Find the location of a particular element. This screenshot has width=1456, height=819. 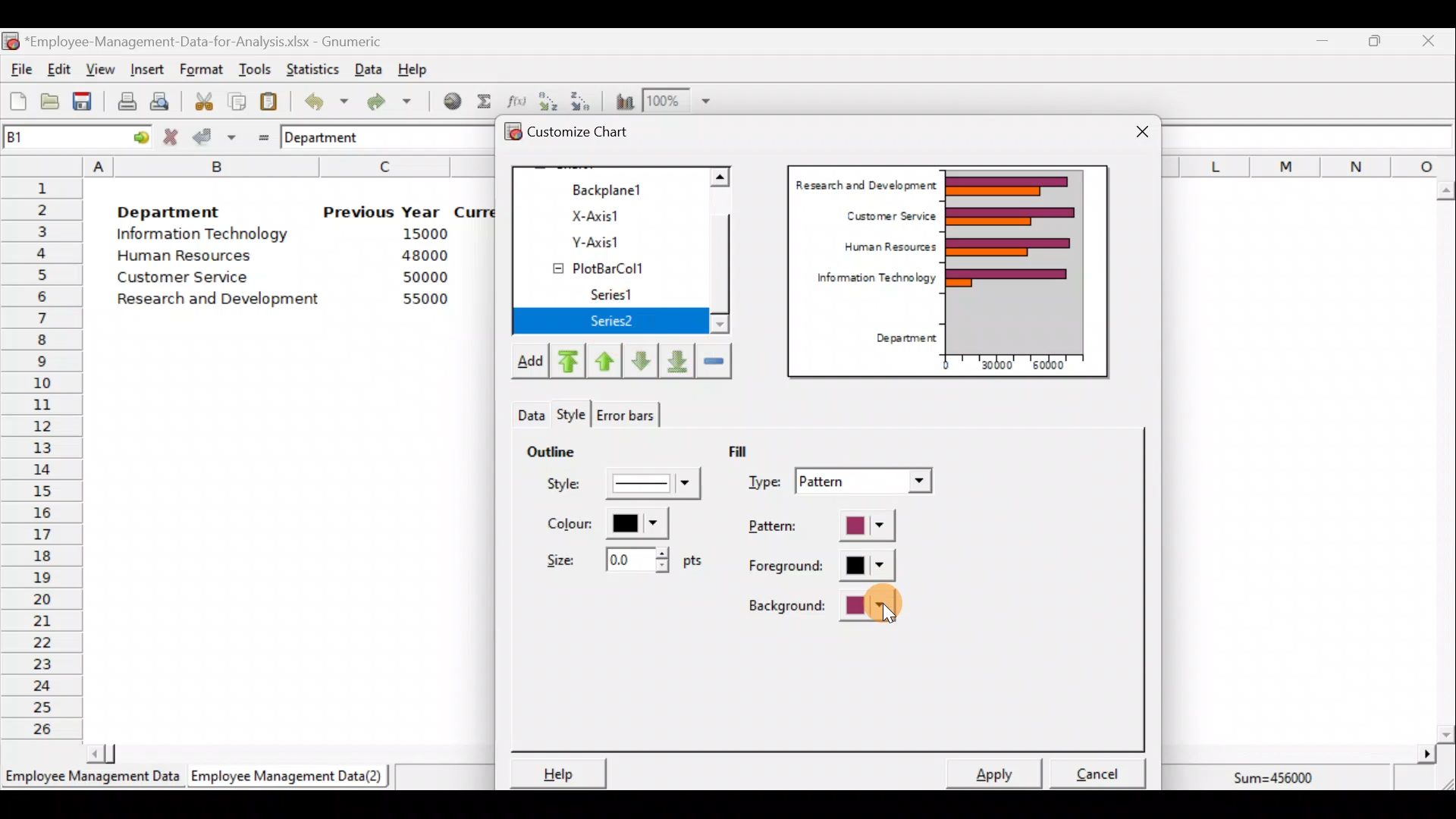

Data is located at coordinates (369, 69).